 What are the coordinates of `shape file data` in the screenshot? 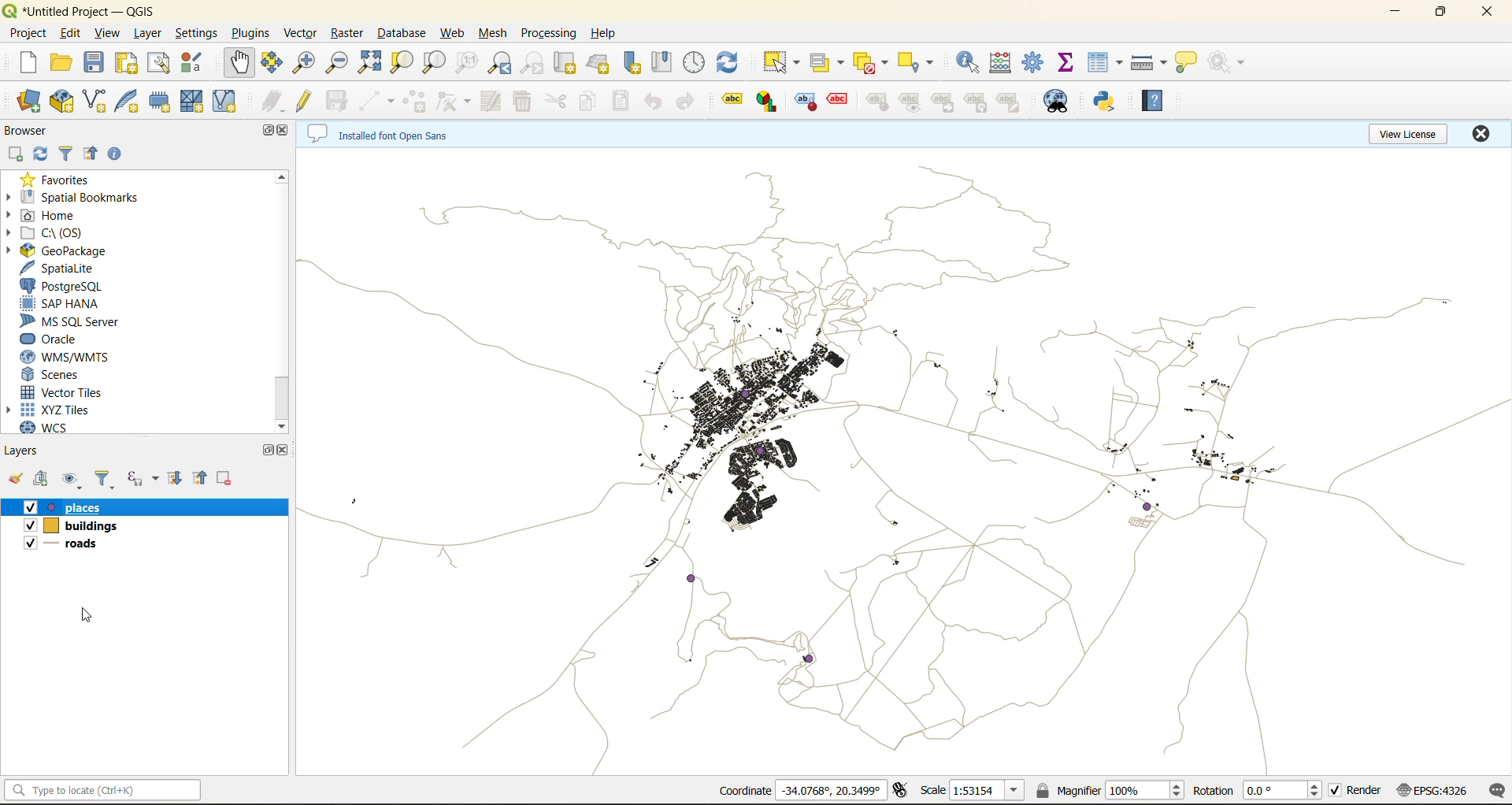 It's located at (740, 627).